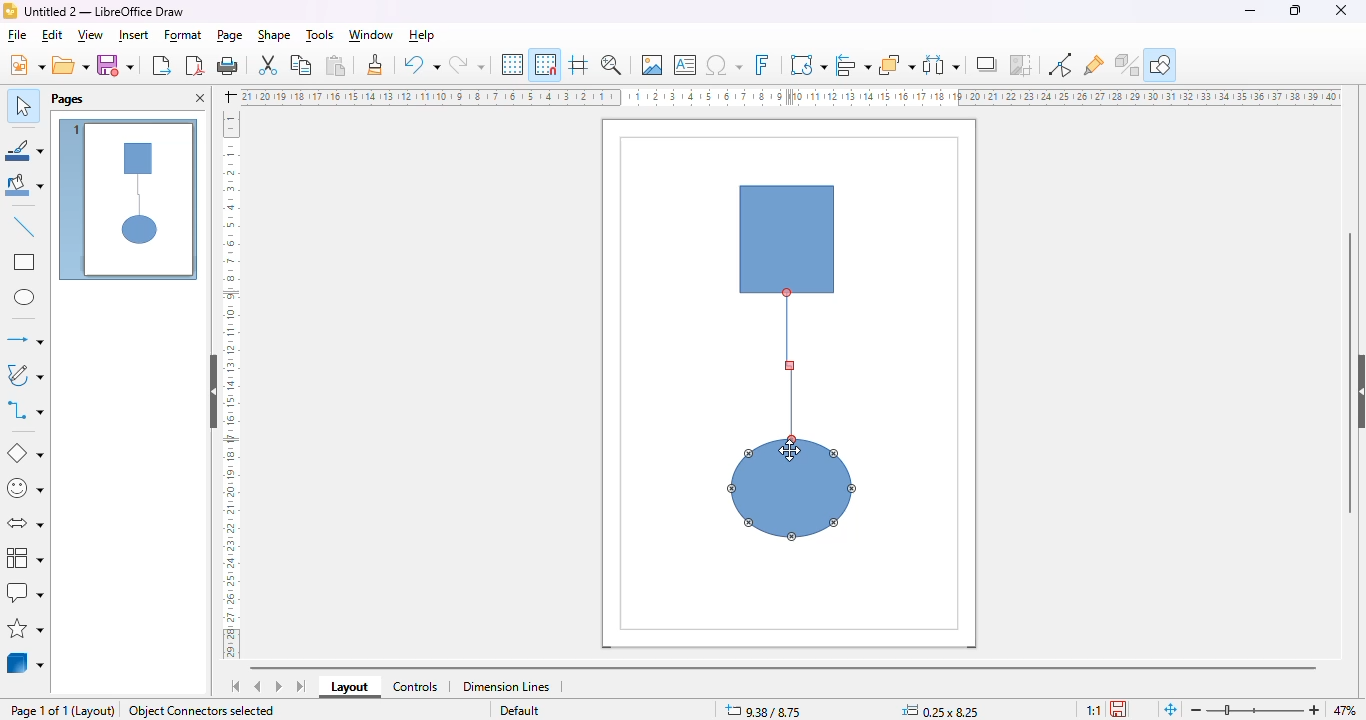  Describe the element at coordinates (808, 65) in the screenshot. I see `transformations` at that location.